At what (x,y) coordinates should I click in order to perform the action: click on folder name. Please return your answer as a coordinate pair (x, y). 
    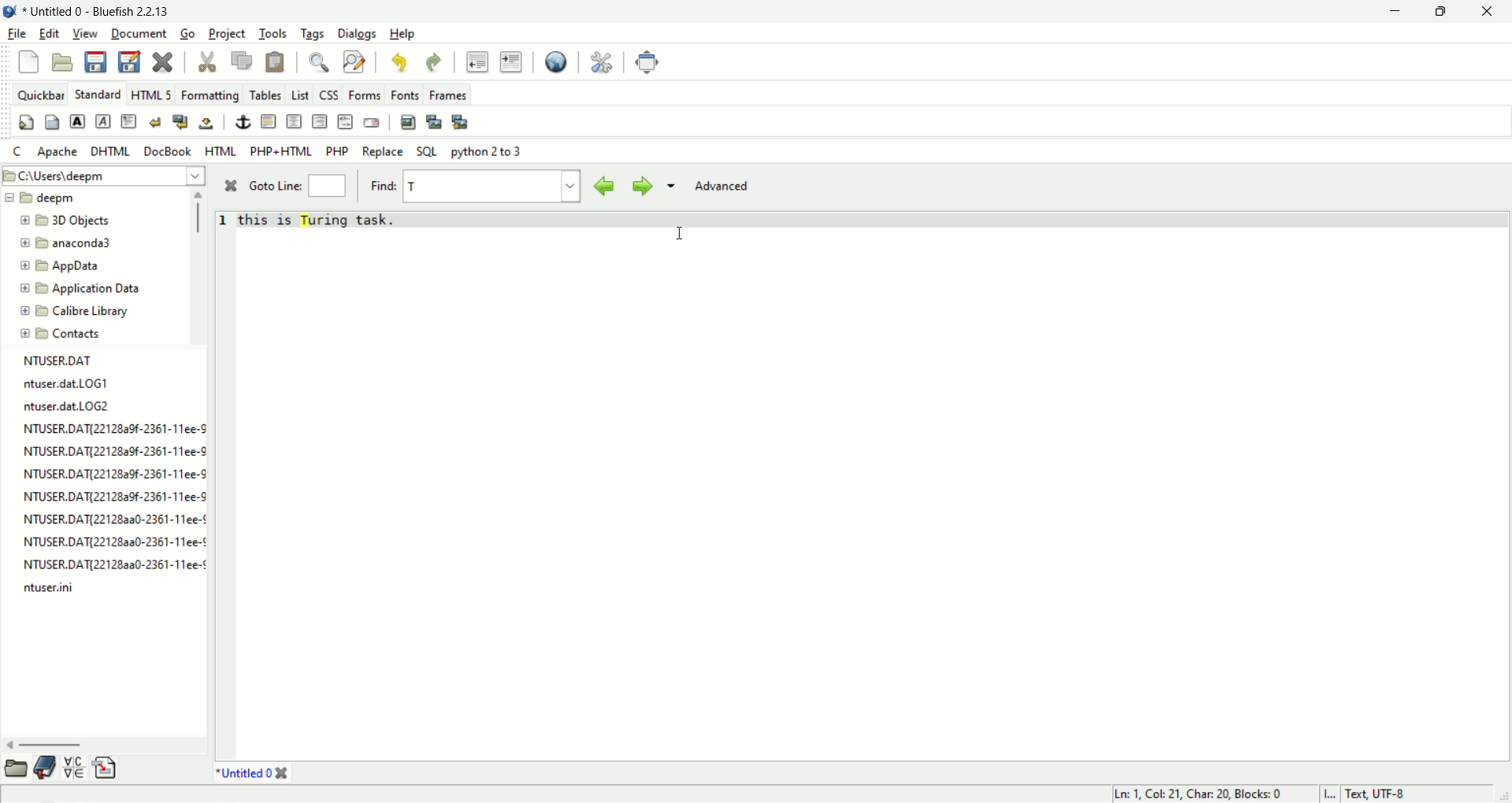
    Looking at the image, I should click on (72, 222).